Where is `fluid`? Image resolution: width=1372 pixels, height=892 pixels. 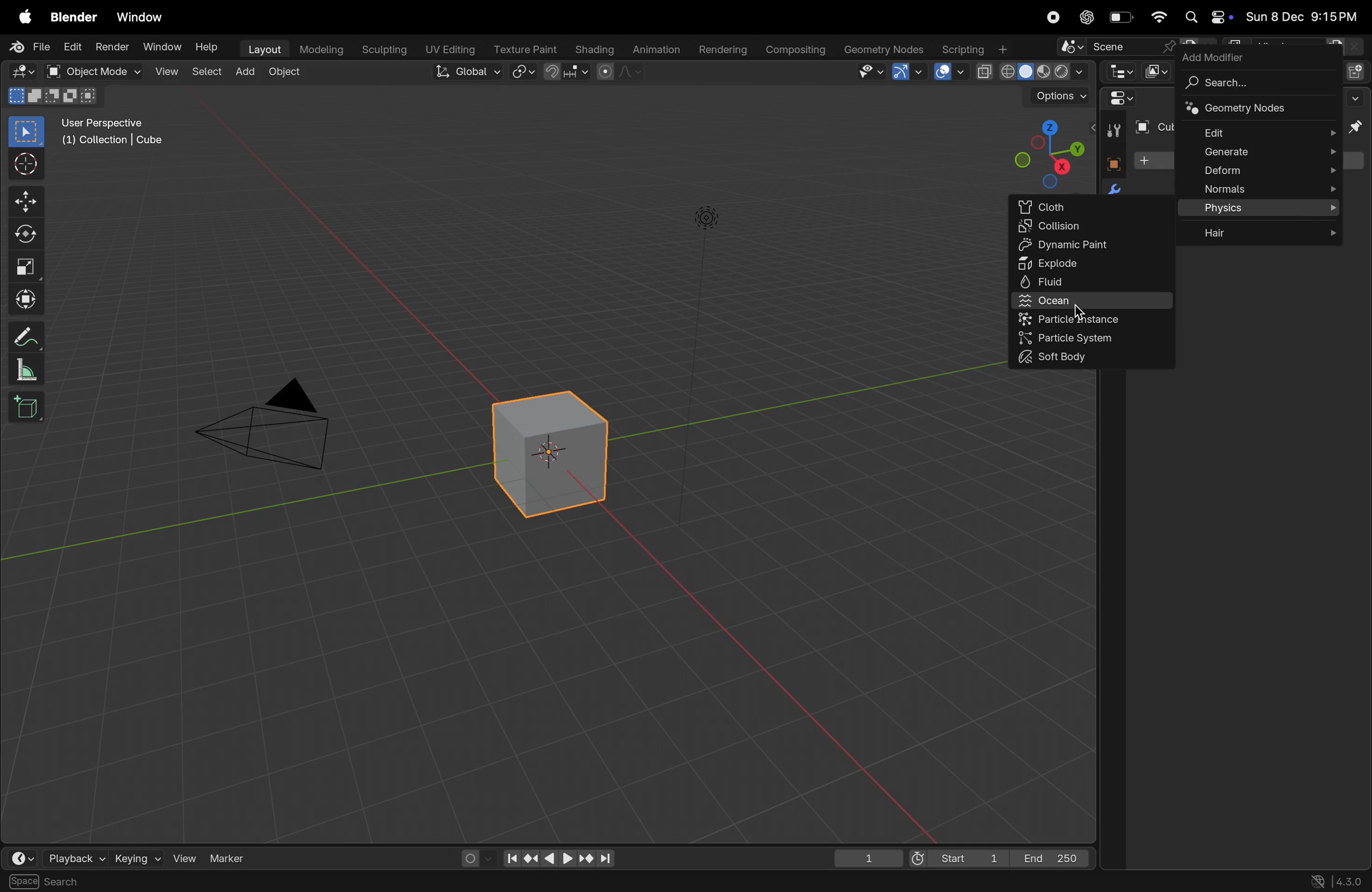 fluid is located at coordinates (1090, 283).